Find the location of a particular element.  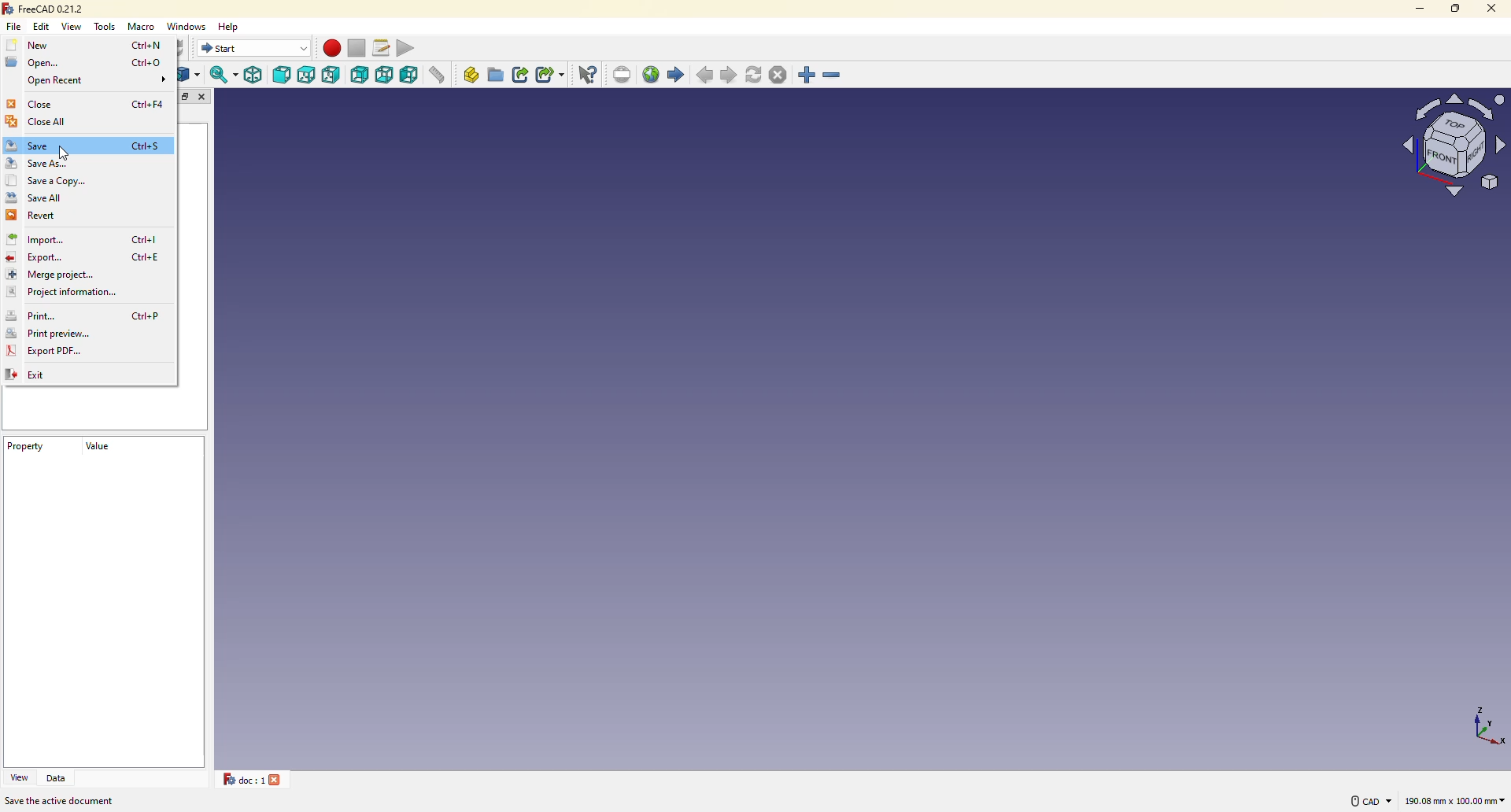

view is located at coordinates (73, 26).